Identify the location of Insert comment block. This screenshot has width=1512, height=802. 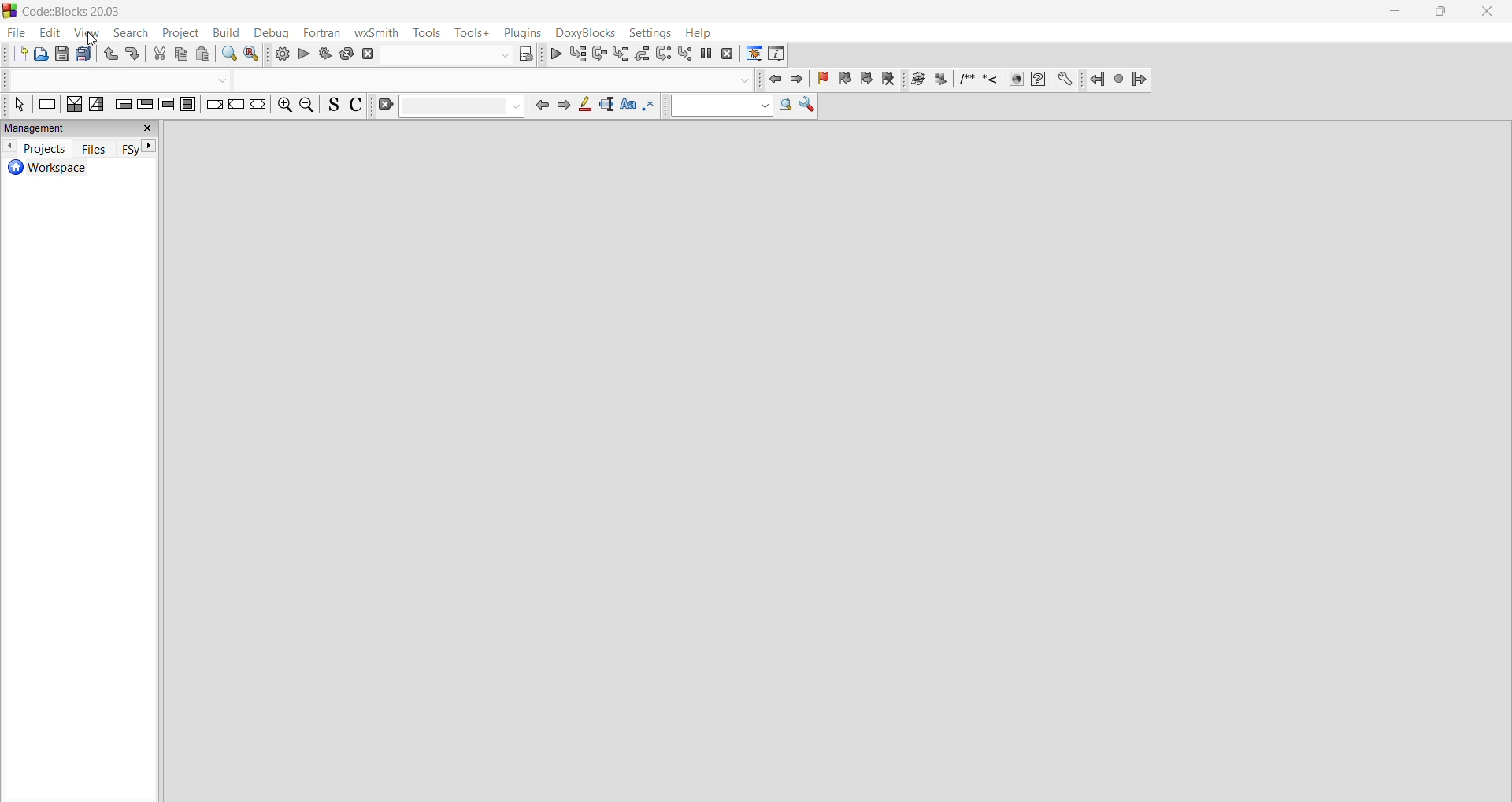
(965, 79).